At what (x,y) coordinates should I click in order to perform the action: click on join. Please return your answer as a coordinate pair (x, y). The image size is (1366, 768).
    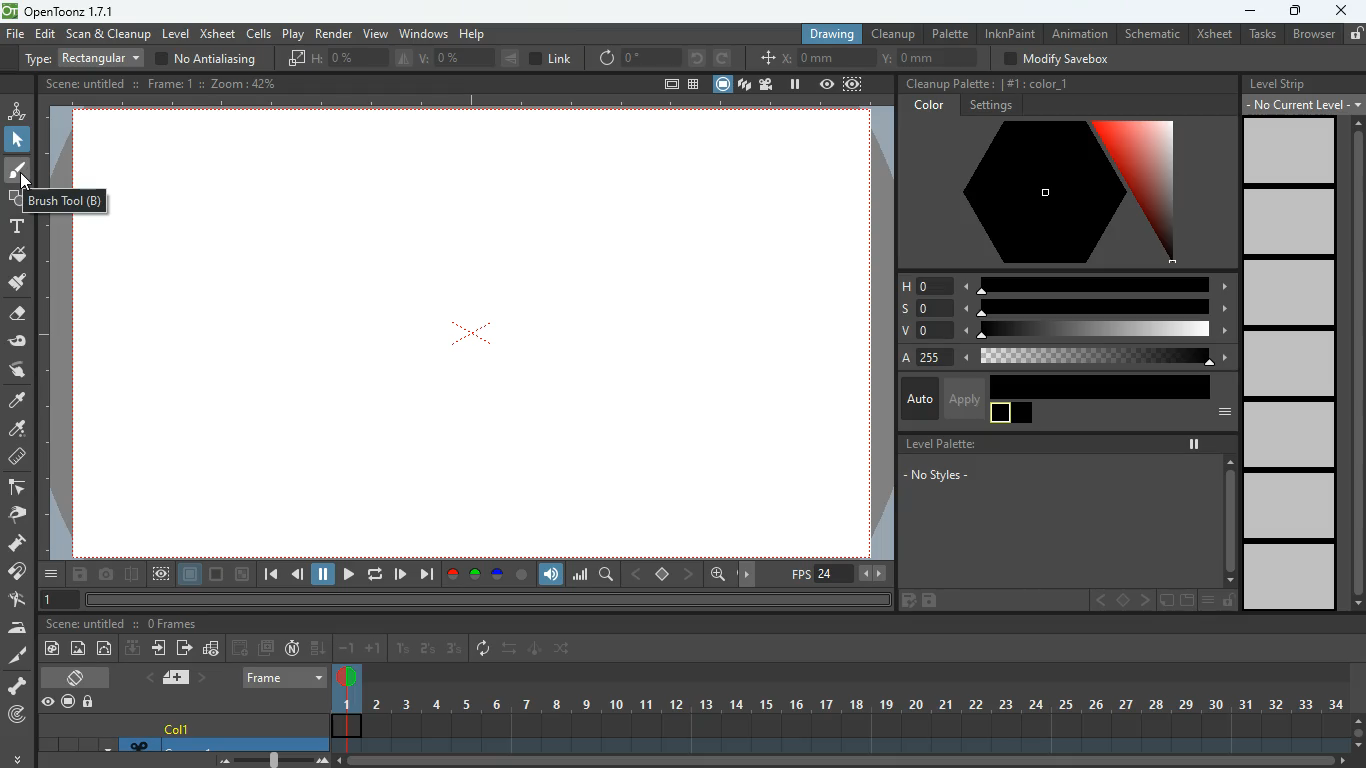
    Looking at the image, I should click on (18, 574).